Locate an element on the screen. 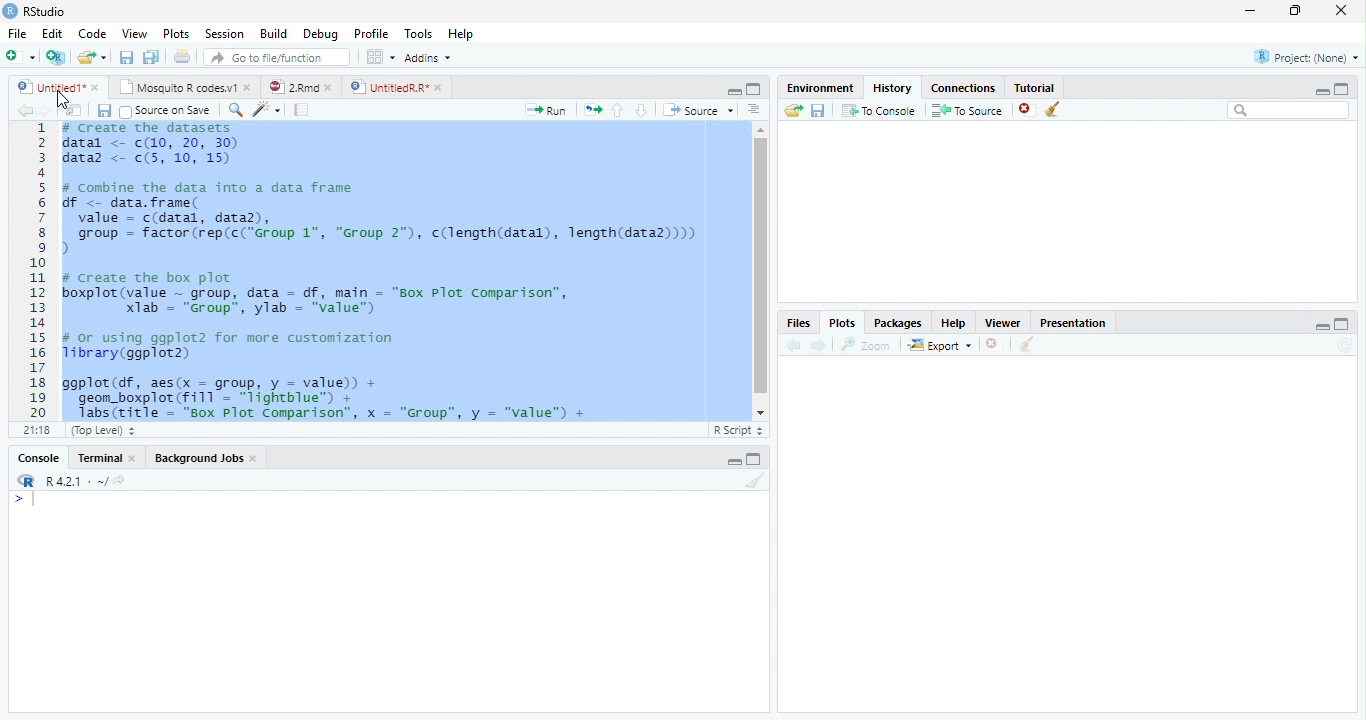 This screenshot has height=720, width=1366. Maximize is located at coordinates (1342, 89).